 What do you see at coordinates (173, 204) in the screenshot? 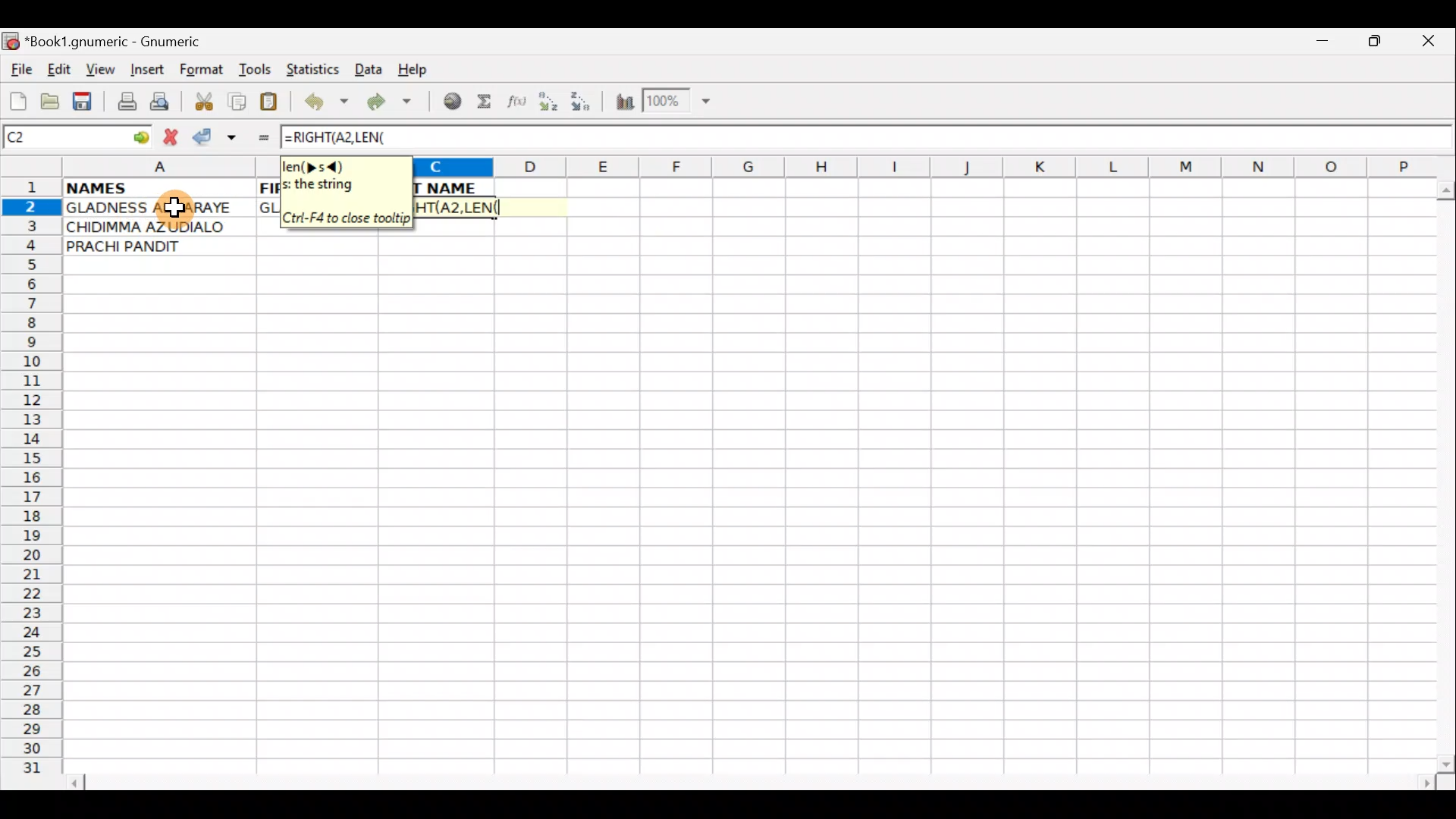
I see `Cursor on cell A2` at bounding box center [173, 204].